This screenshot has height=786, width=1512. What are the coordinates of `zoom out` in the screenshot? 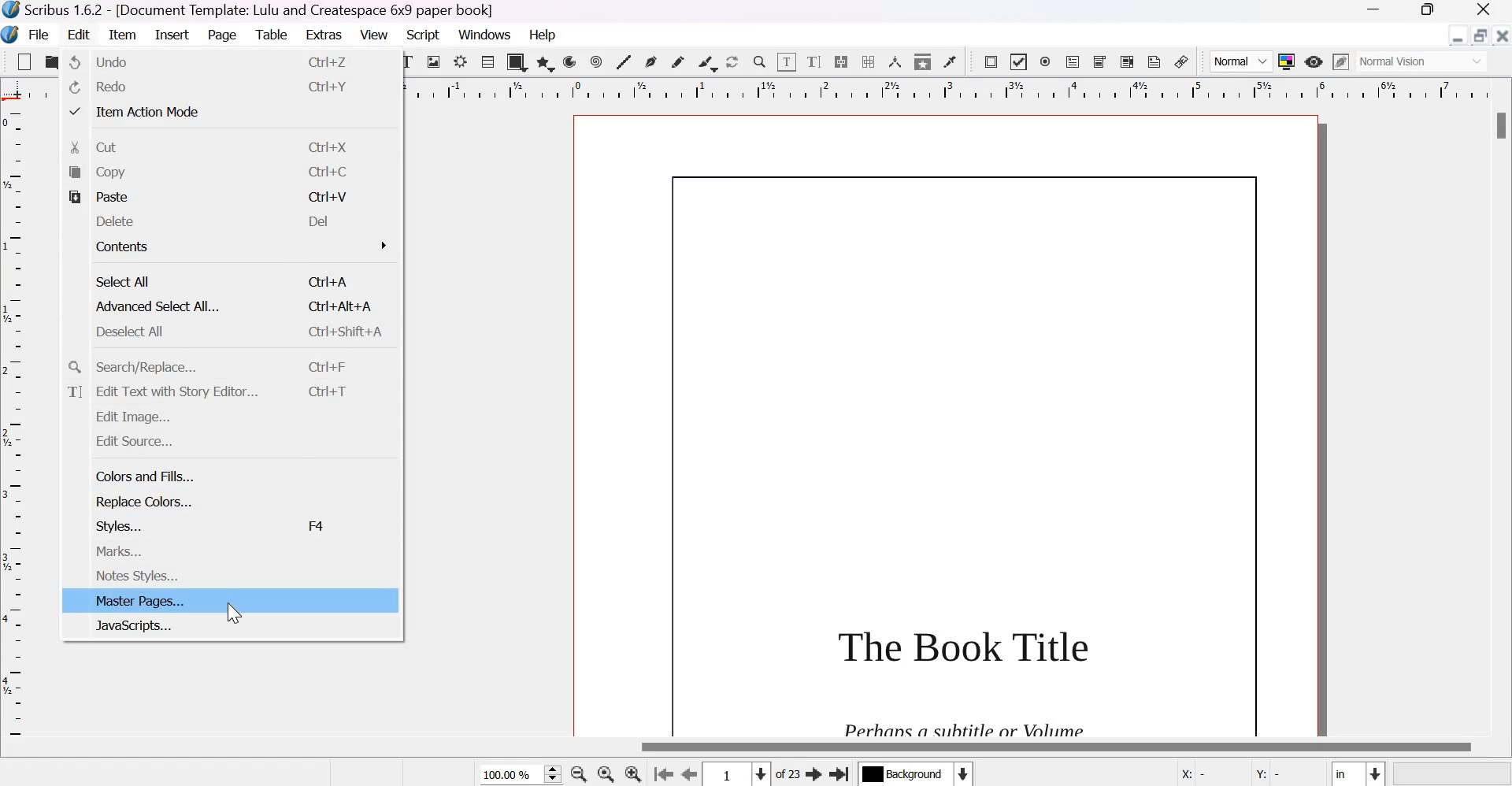 It's located at (580, 773).